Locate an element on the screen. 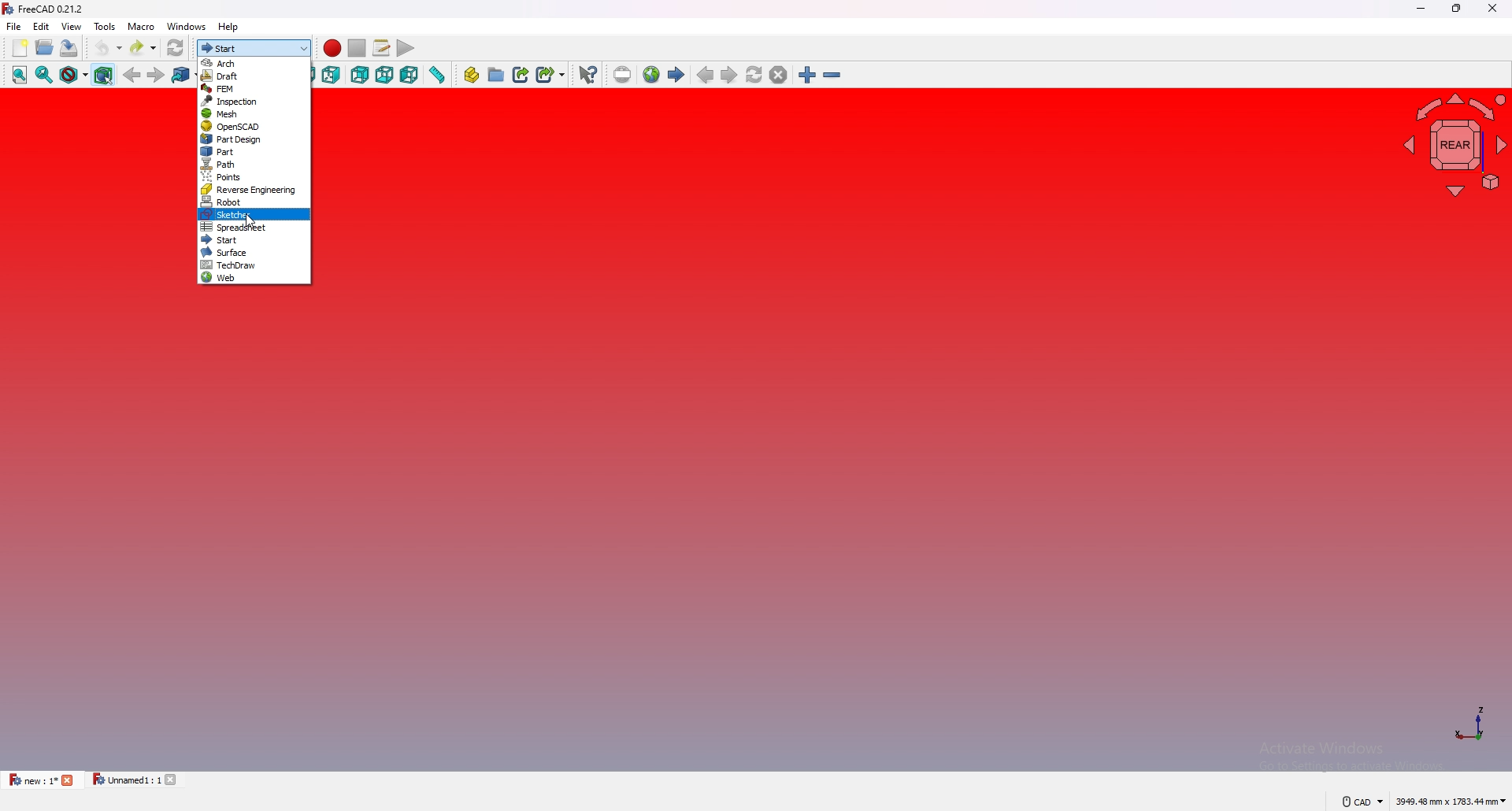 This screenshot has height=811, width=1512. execute macro is located at coordinates (406, 48).